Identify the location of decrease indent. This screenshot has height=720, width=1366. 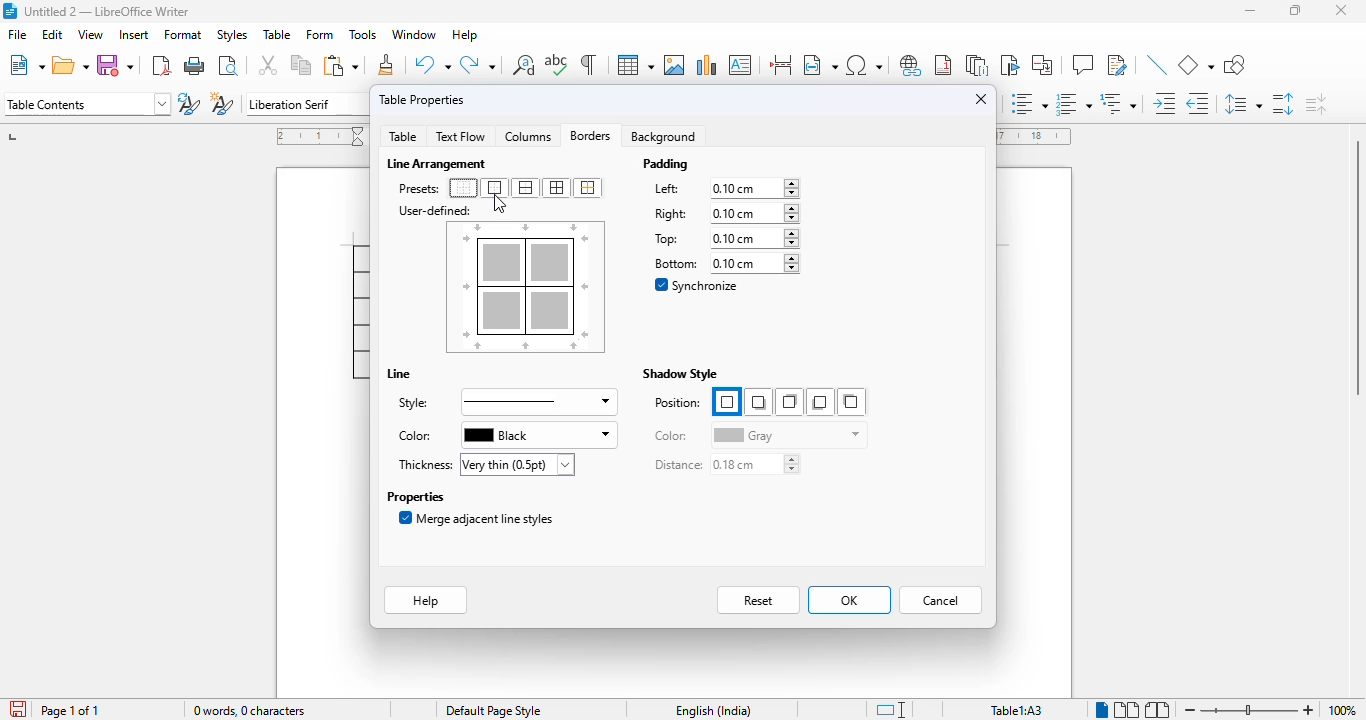
(1200, 103).